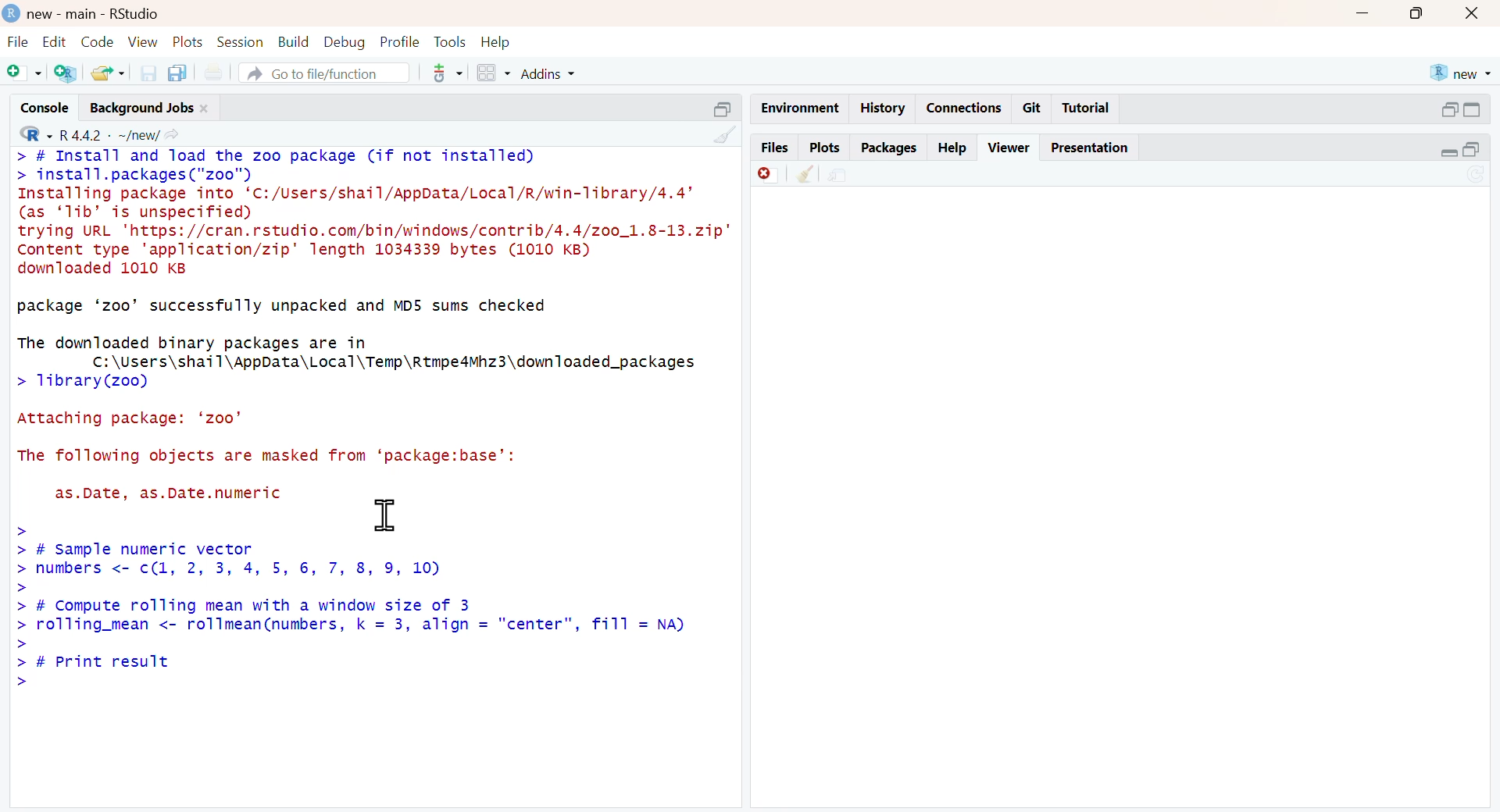  Describe the element at coordinates (401, 42) in the screenshot. I see `profile` at that location.